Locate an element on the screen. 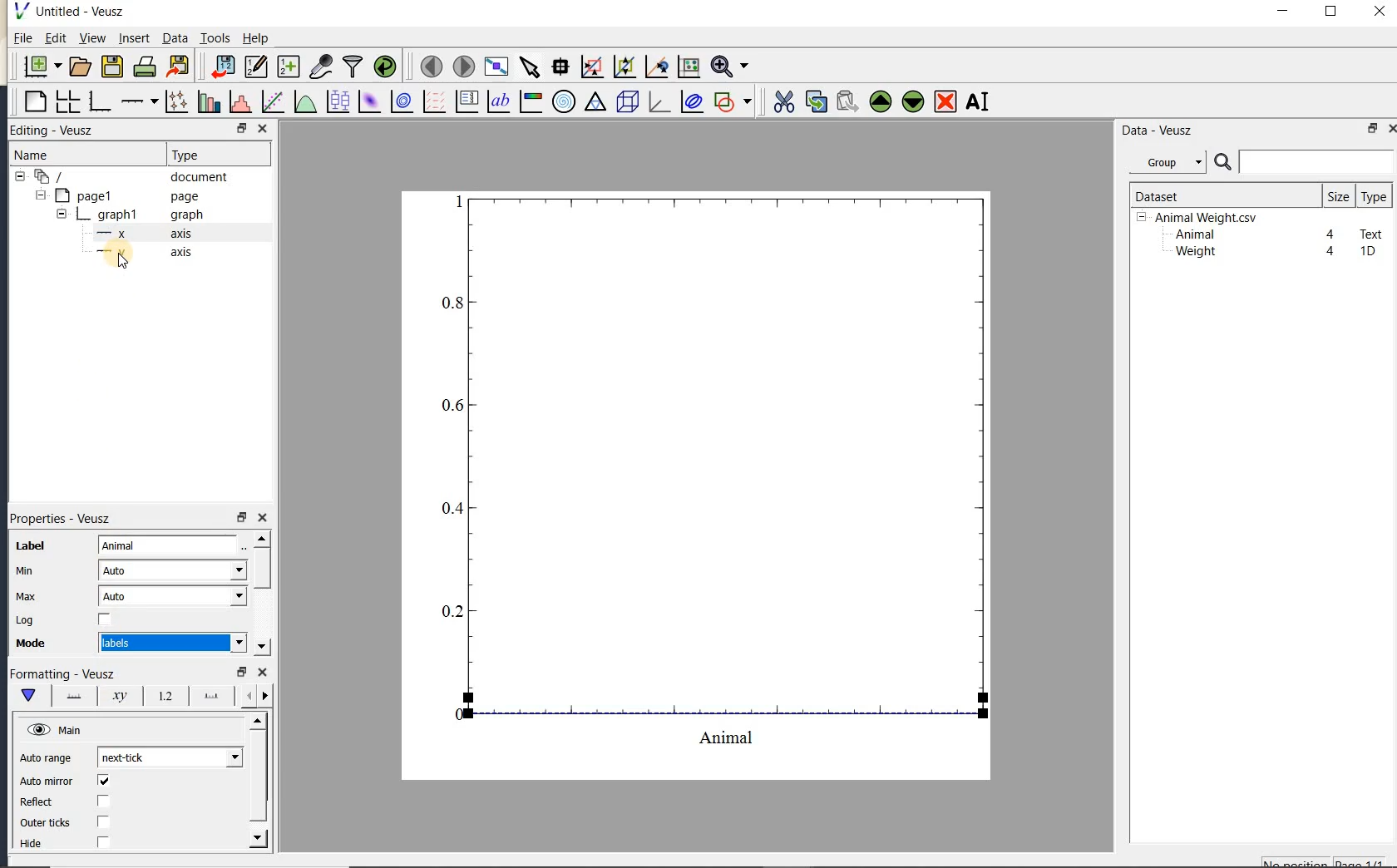  export to graphics format is located at coordinates (179, 65).